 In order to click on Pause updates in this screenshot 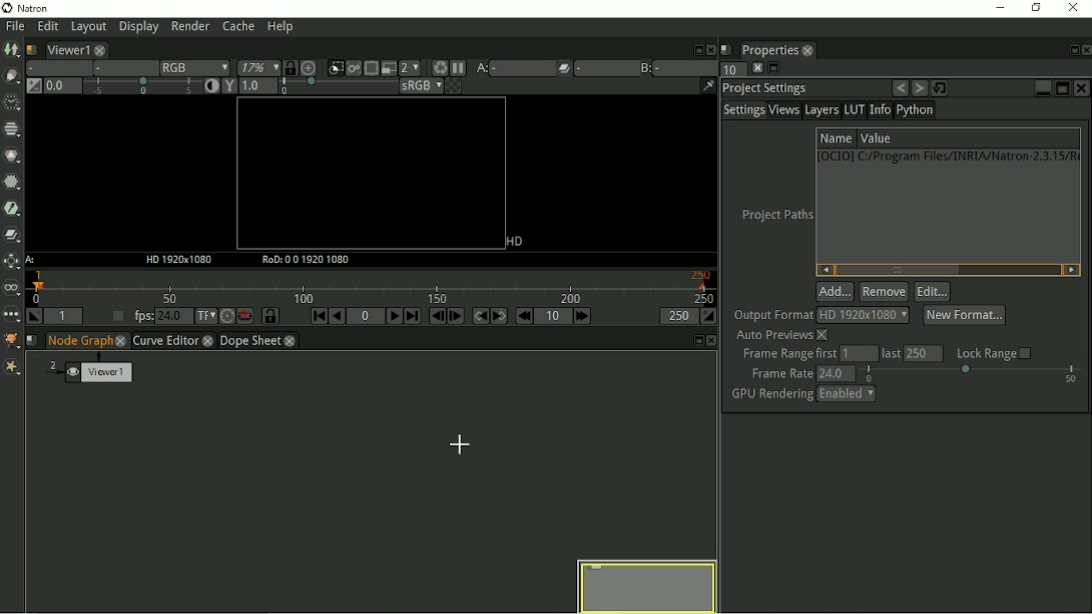, I will do `click(459, 68)`.